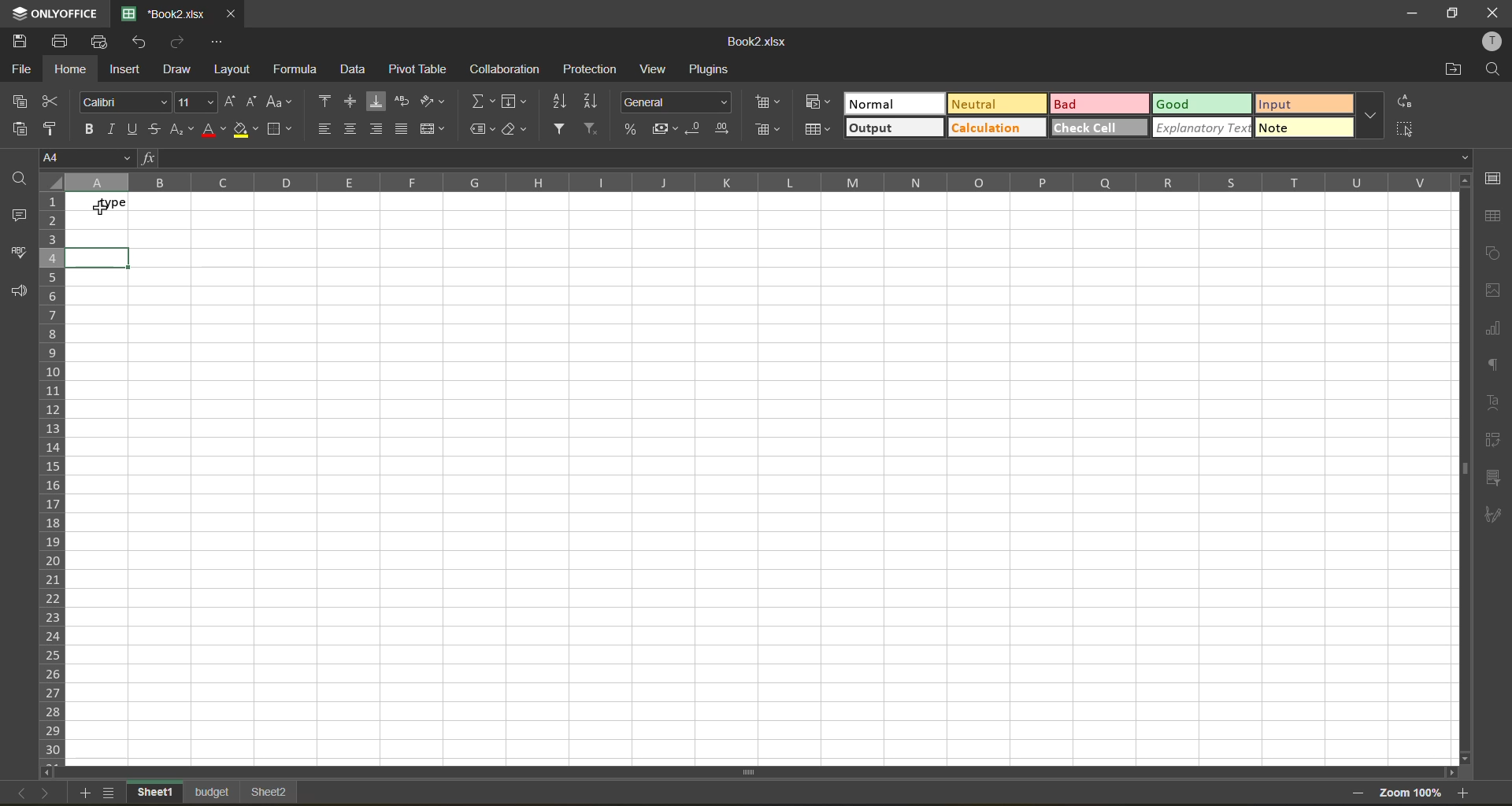 Image resolution: width=1512 pixels, height=806 pixels. What do you see at coordinates (1409, 12) in the screenshot?
I see `minimize` at bounding box center [1409, 12].